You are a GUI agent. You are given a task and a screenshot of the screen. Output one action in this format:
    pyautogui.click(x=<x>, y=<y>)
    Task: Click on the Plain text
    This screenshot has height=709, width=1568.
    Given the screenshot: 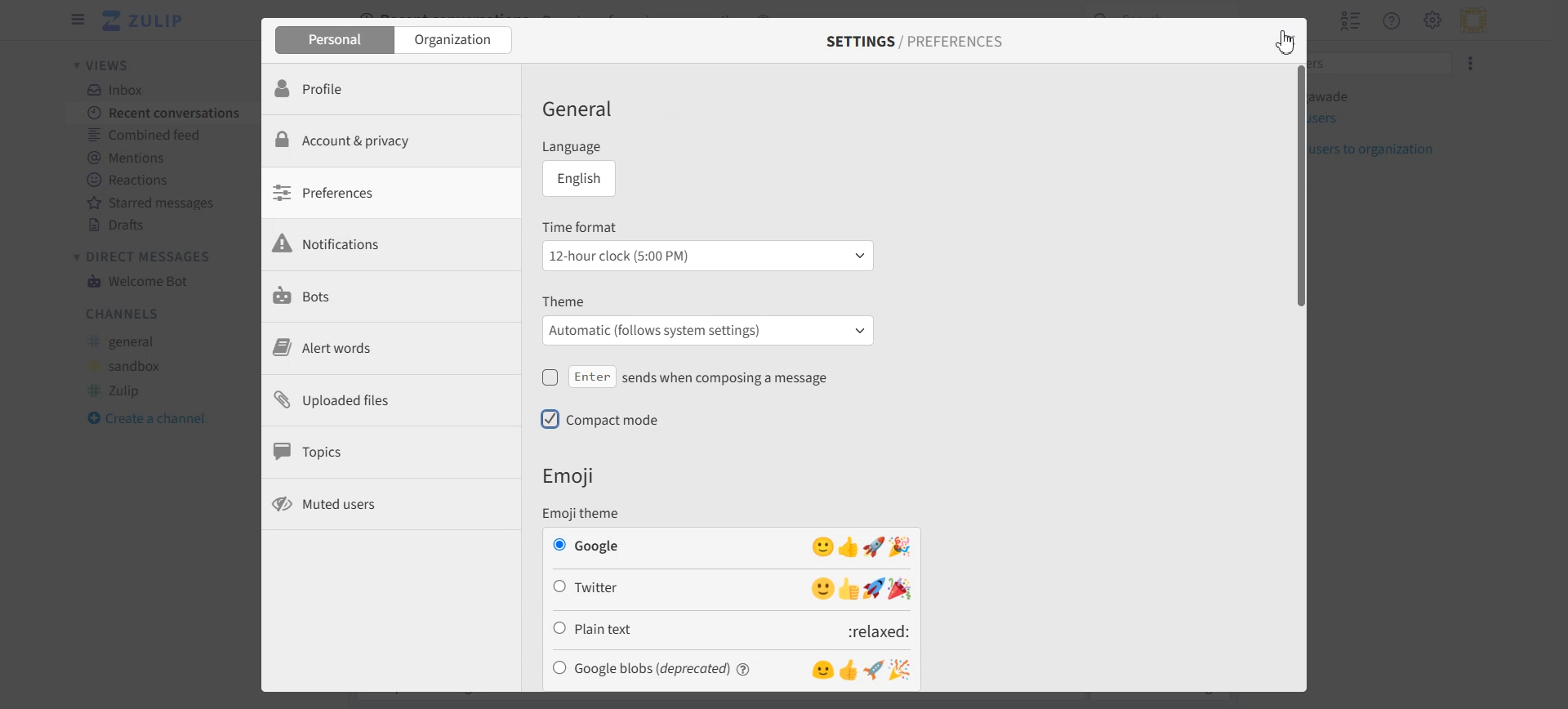 What is the action you would take?
    pyautogui.click(x=732, y=631)
    